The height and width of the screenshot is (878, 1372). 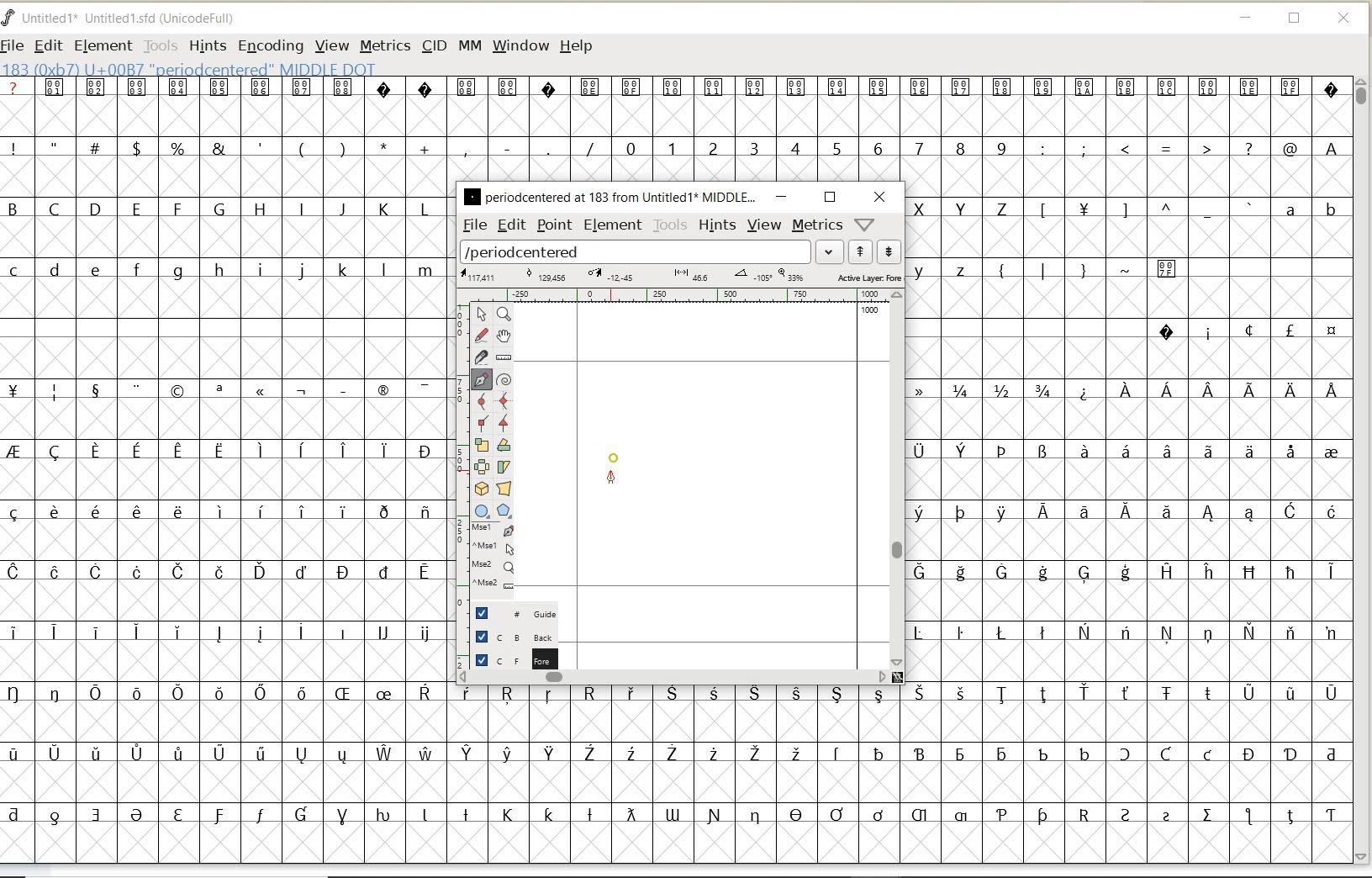 What do you see at coordinates (384, 47) in the screenshot?
I see `METRICS` at bounding box center [384, 47].